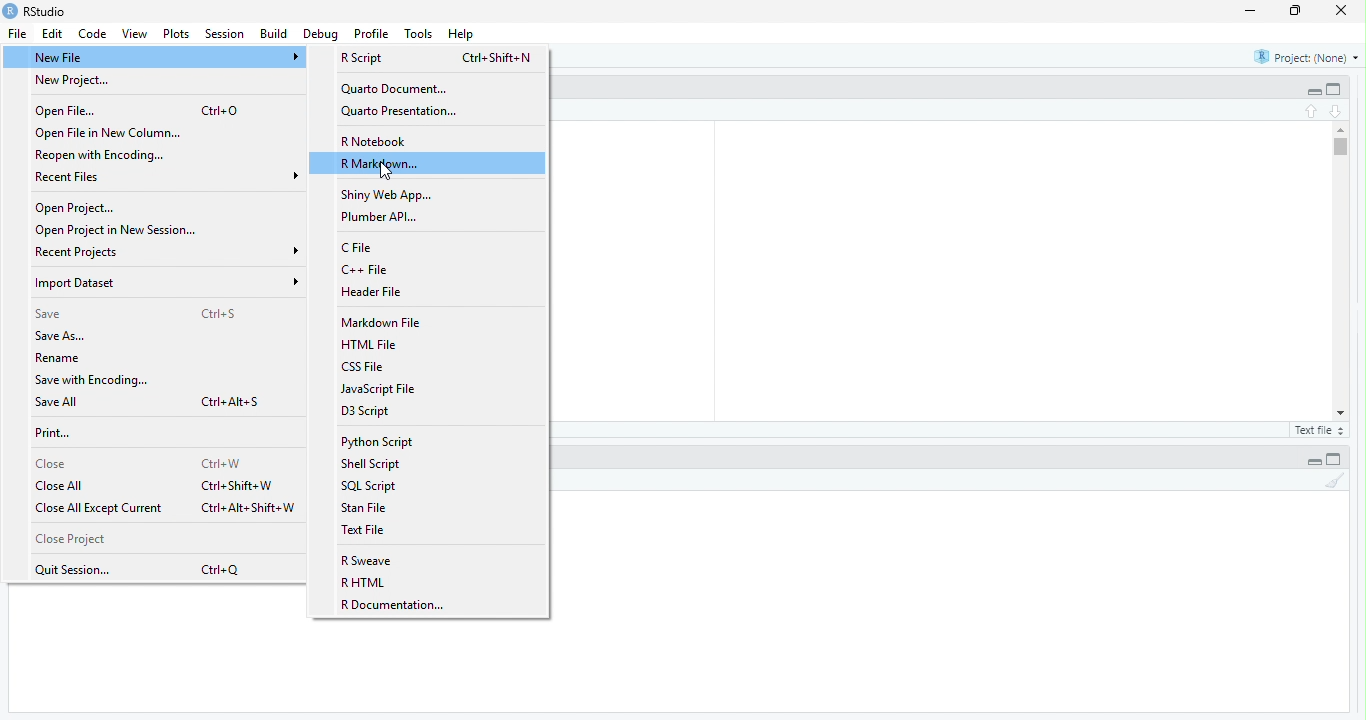 This screenshot has width=1366, height=720. What do you see at coordinates (67, 111) in the screenshot?
I see `Open File...` at bounding box center [67, 111].